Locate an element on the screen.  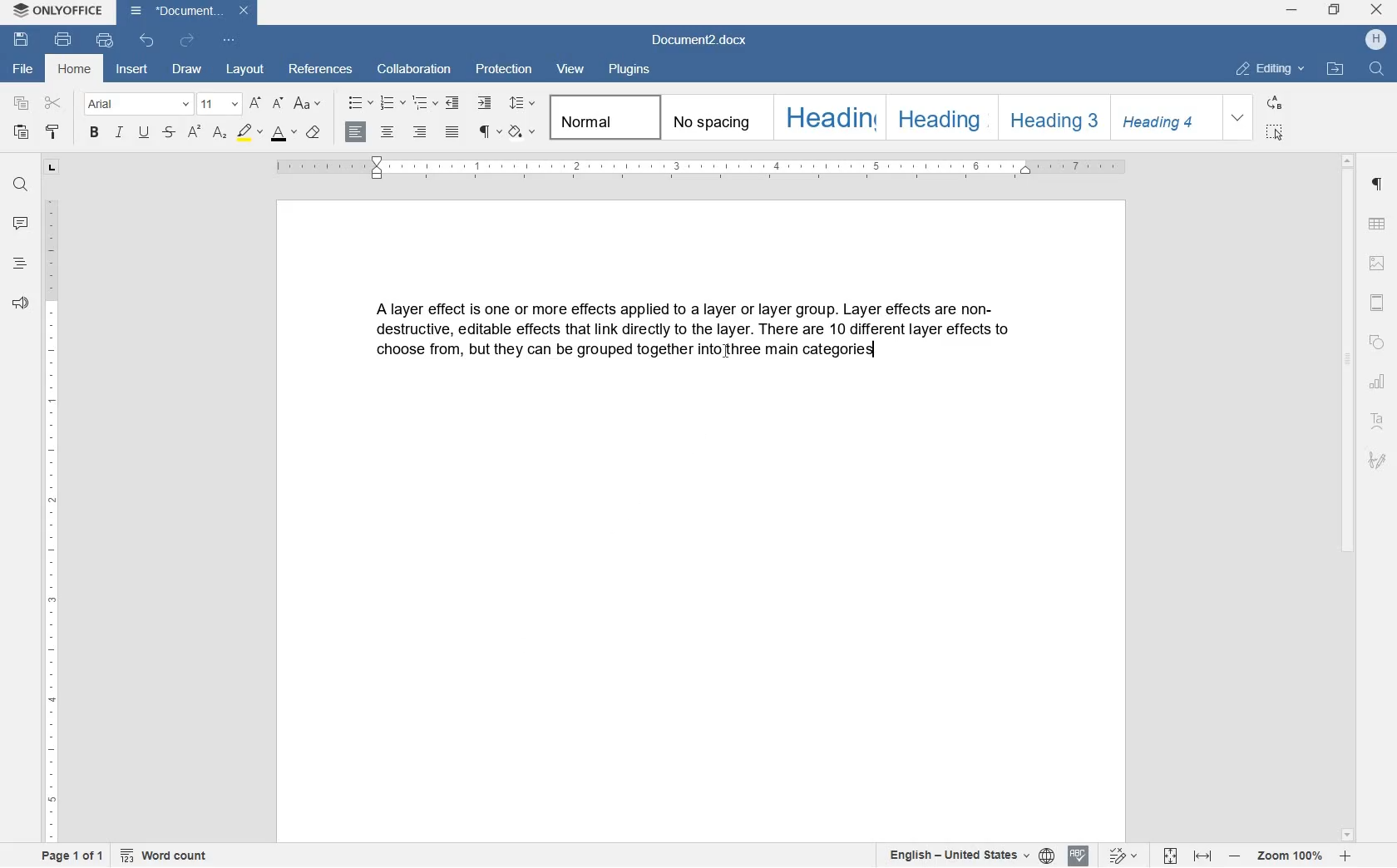
no spacing is located at coordinates (713, 116).